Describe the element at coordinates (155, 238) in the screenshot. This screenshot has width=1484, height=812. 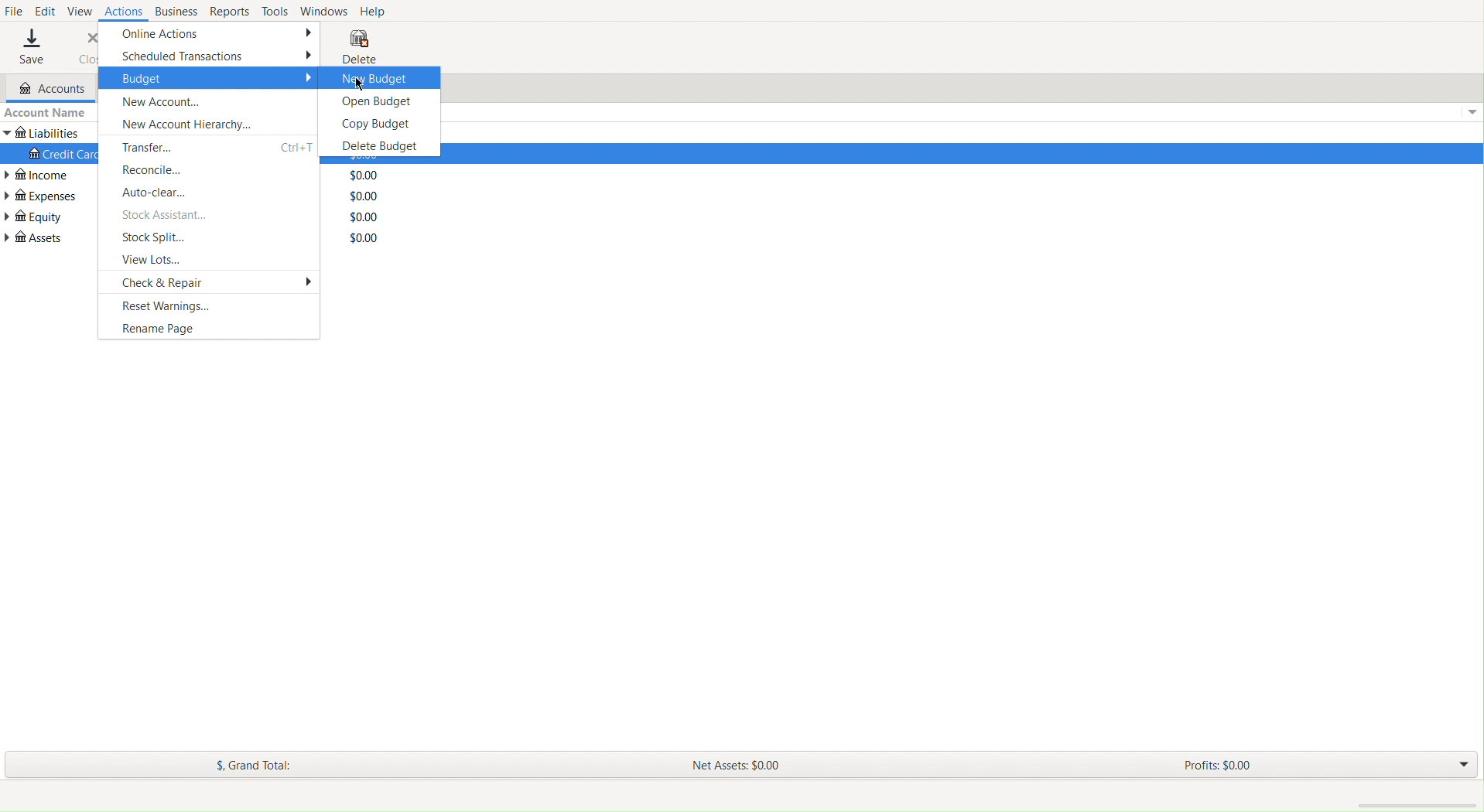
I see `Stock Split` at that location.